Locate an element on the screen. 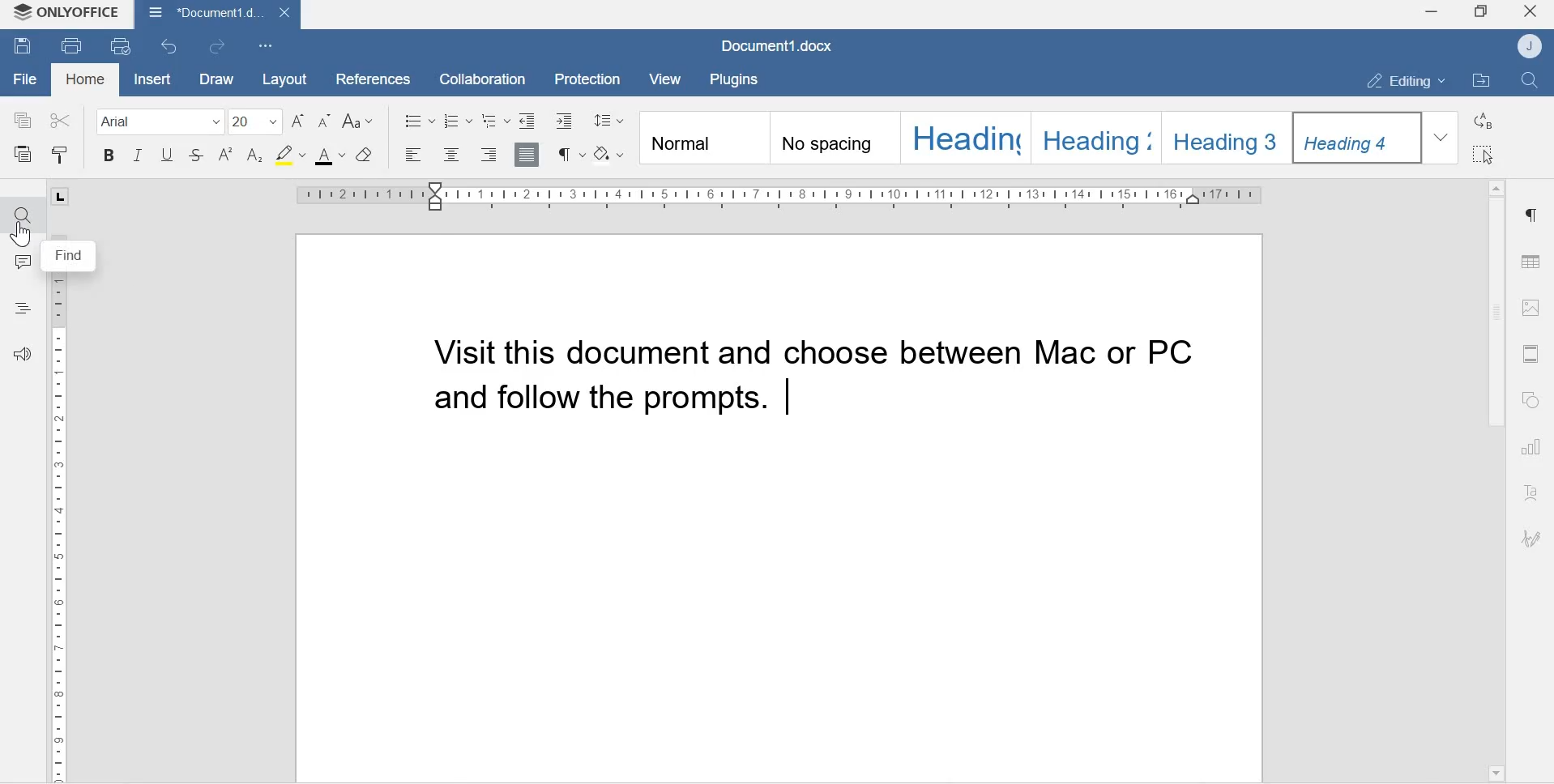 Image resolution: width=1554 pixels, height=784 pixels. Headings is located at coordinates (23, 306).